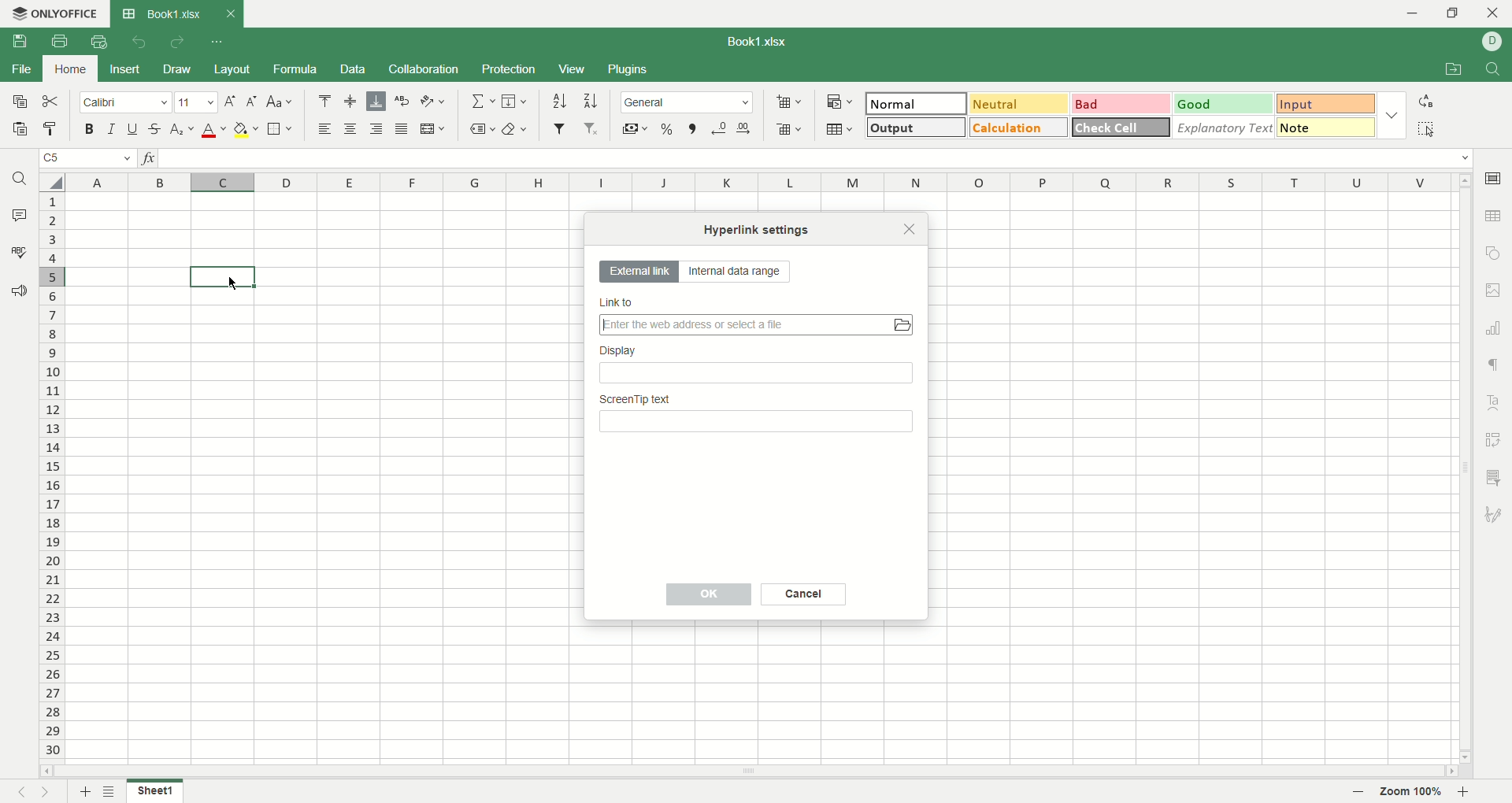 The width and height of the screenshot is (1512, 803). Describe the element at coordinates (720, 128) in the screenshot. I see `decrease decimal` at that location.